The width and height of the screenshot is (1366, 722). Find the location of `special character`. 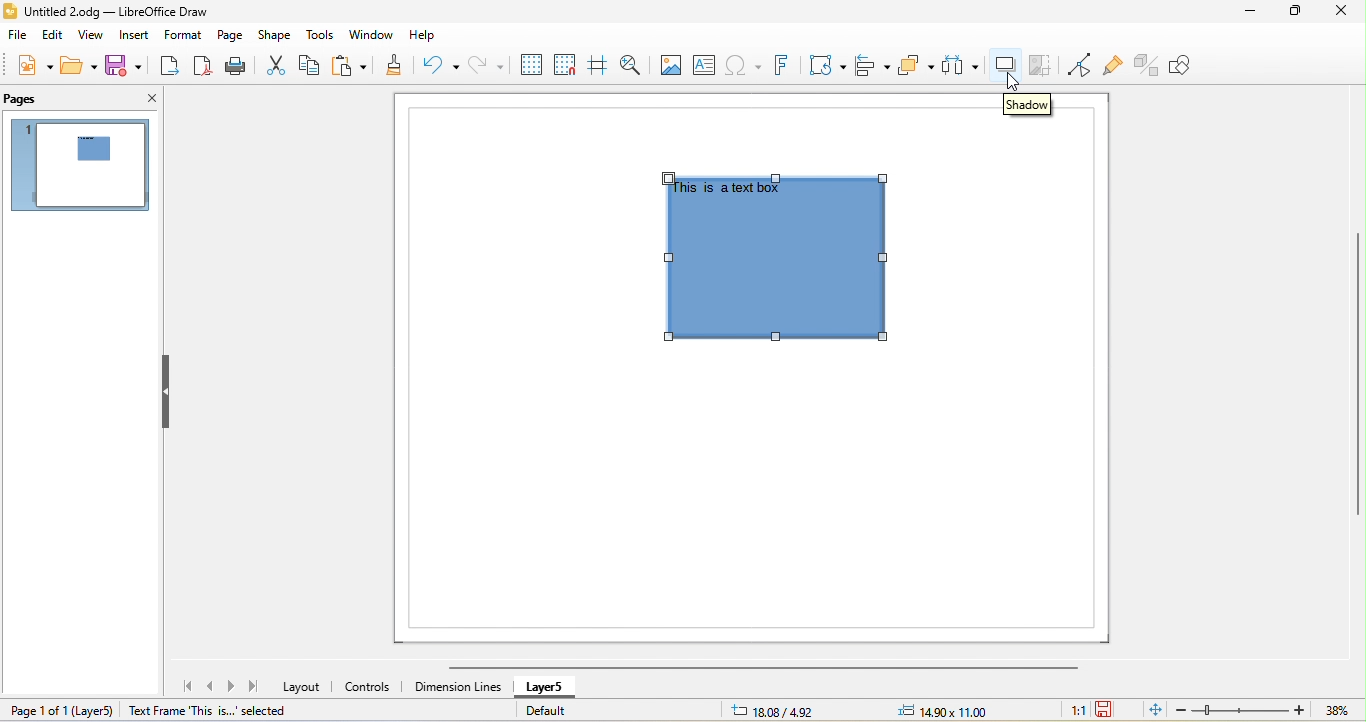

special character is located at coordinates (746, 66).